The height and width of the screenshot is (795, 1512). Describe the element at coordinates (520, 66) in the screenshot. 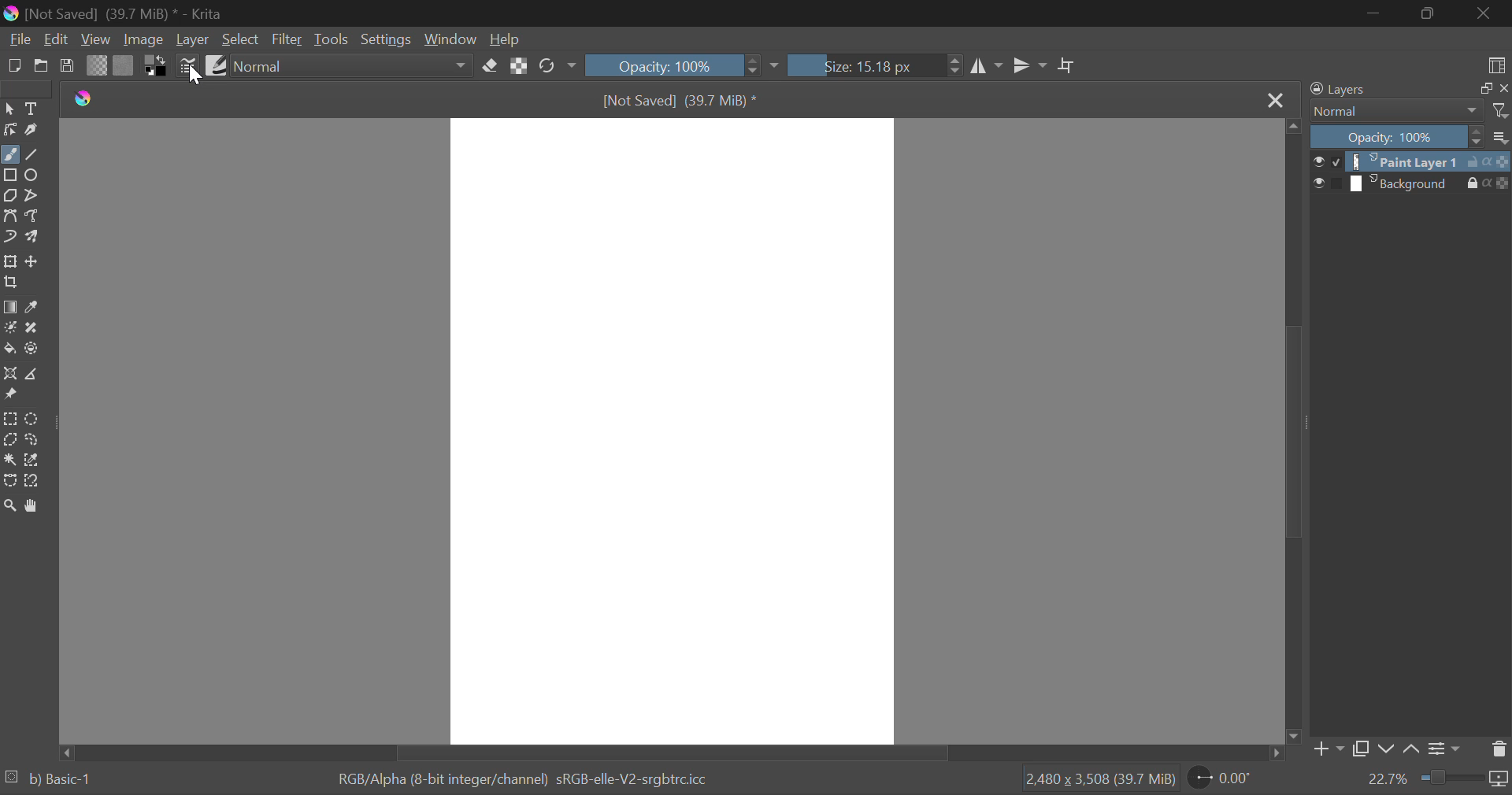

I see `Lock Alpha` at that location.